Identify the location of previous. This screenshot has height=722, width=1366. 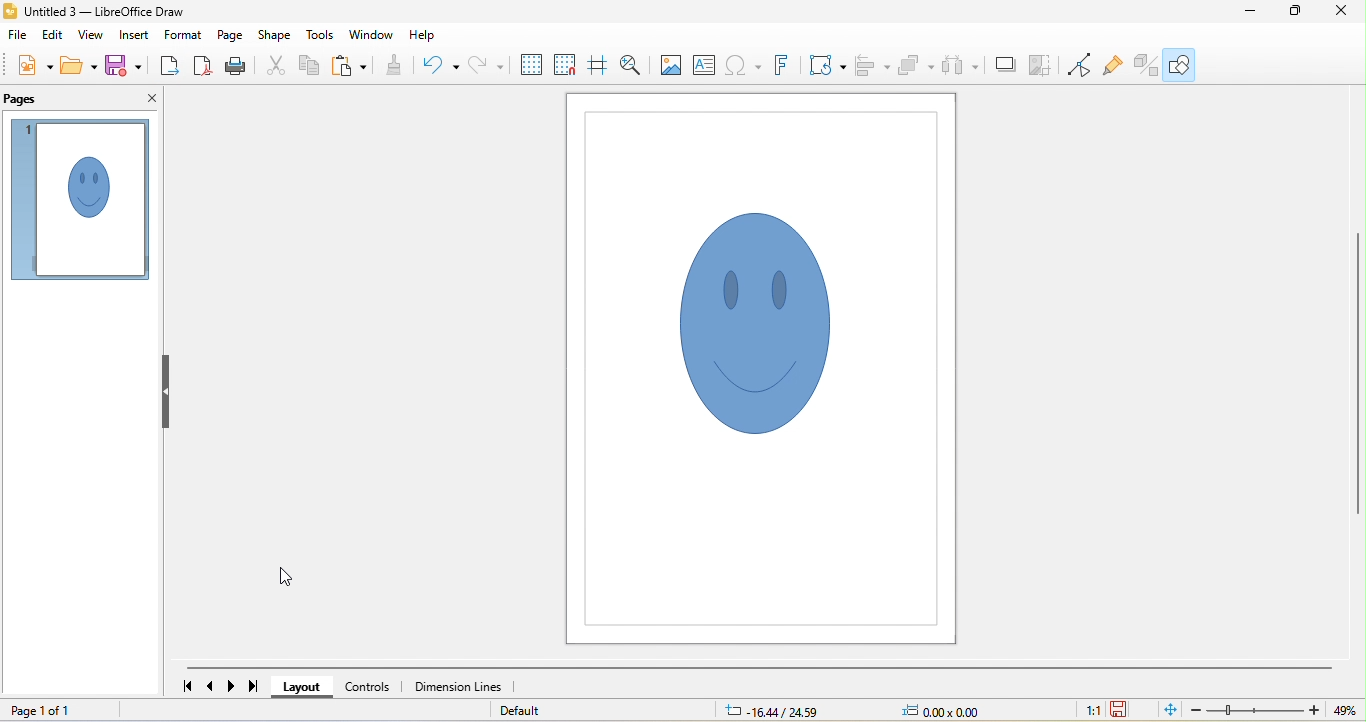
(210, 687).